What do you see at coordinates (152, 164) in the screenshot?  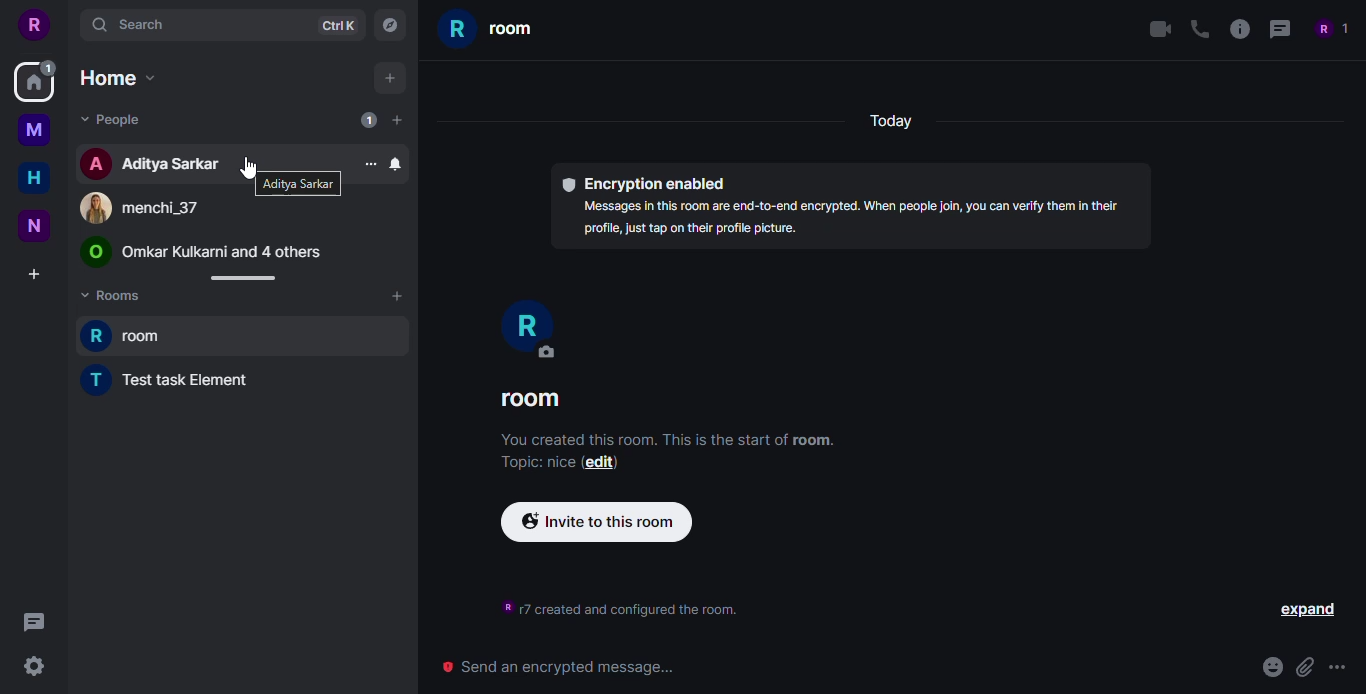 I see `aditya sarkar` at bounding box center [152, 164].